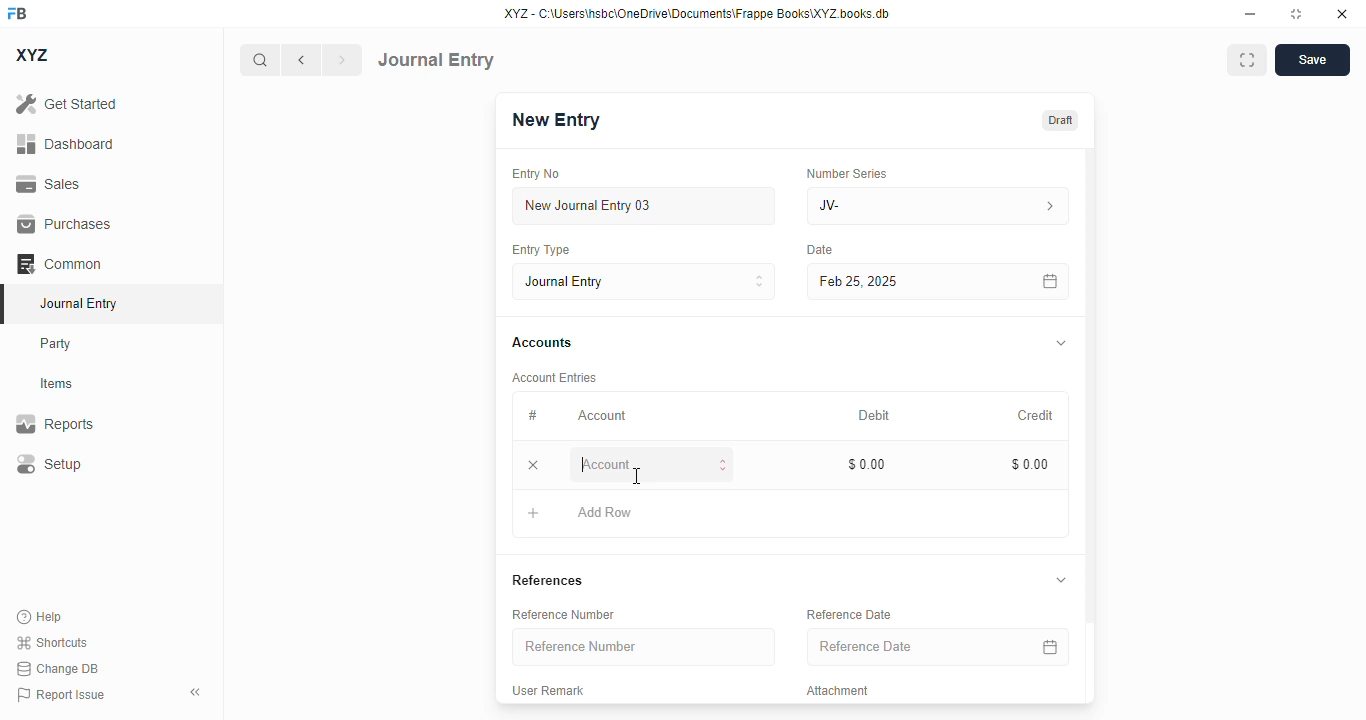 This screenshot has height=720, width=1366. Describe the element at coordinates (1031, 464) in the screenshot. I see `$0.00` at that location.